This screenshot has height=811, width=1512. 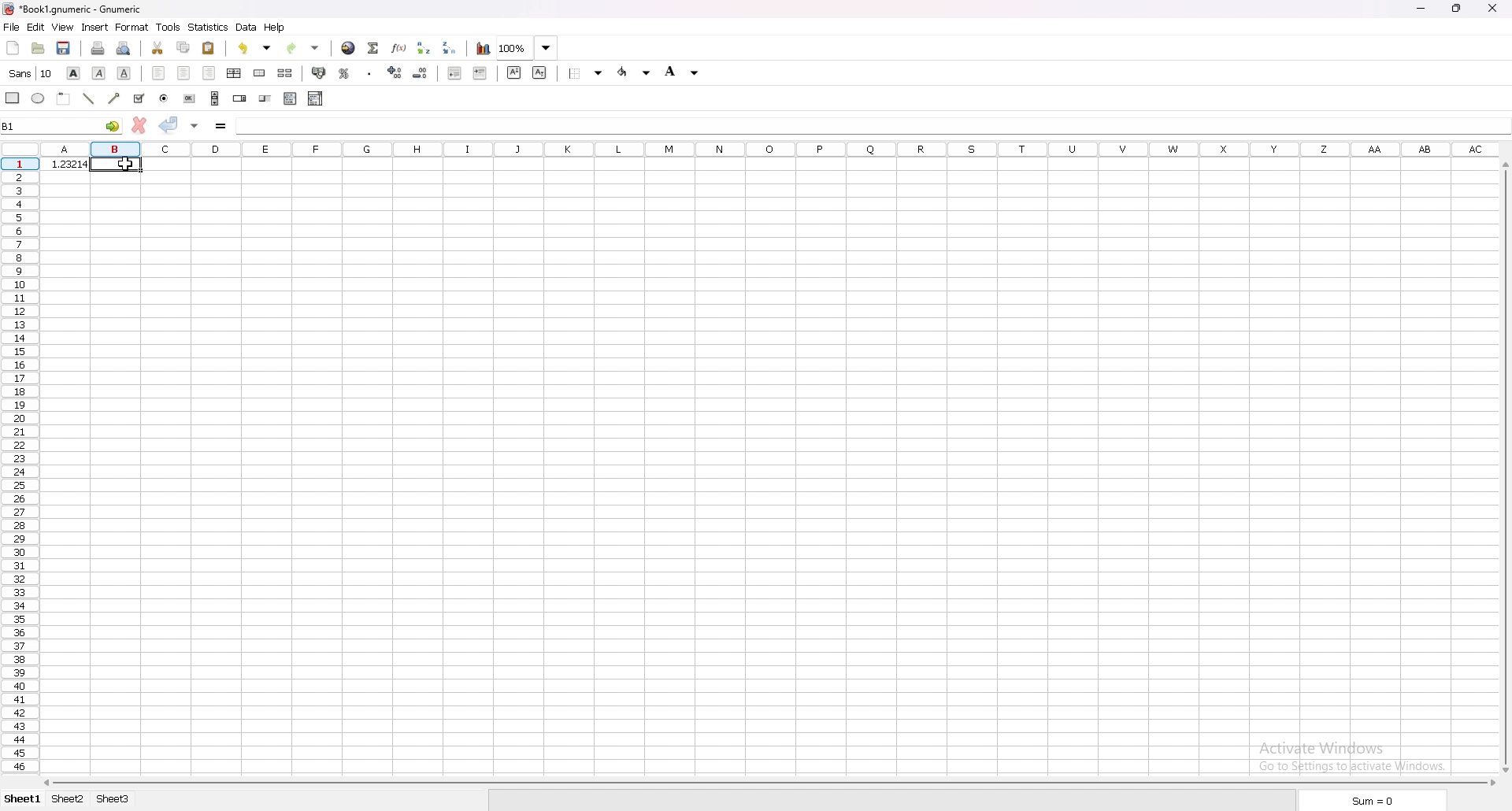 What do you see at coordinates (539, 72) in the screenshot?
I see `subscript` at bounding box center [539, 72].